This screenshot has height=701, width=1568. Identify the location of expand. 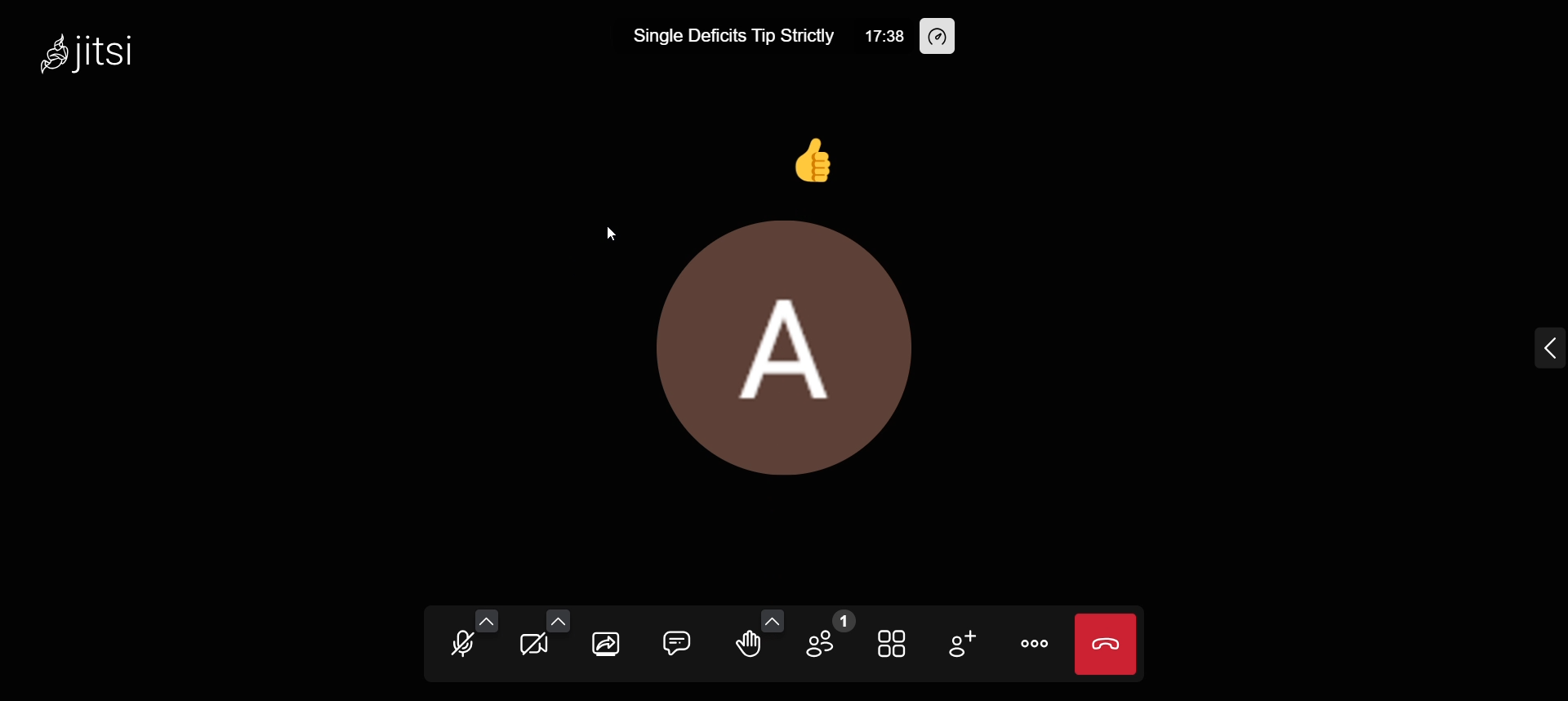
(1532, 353).